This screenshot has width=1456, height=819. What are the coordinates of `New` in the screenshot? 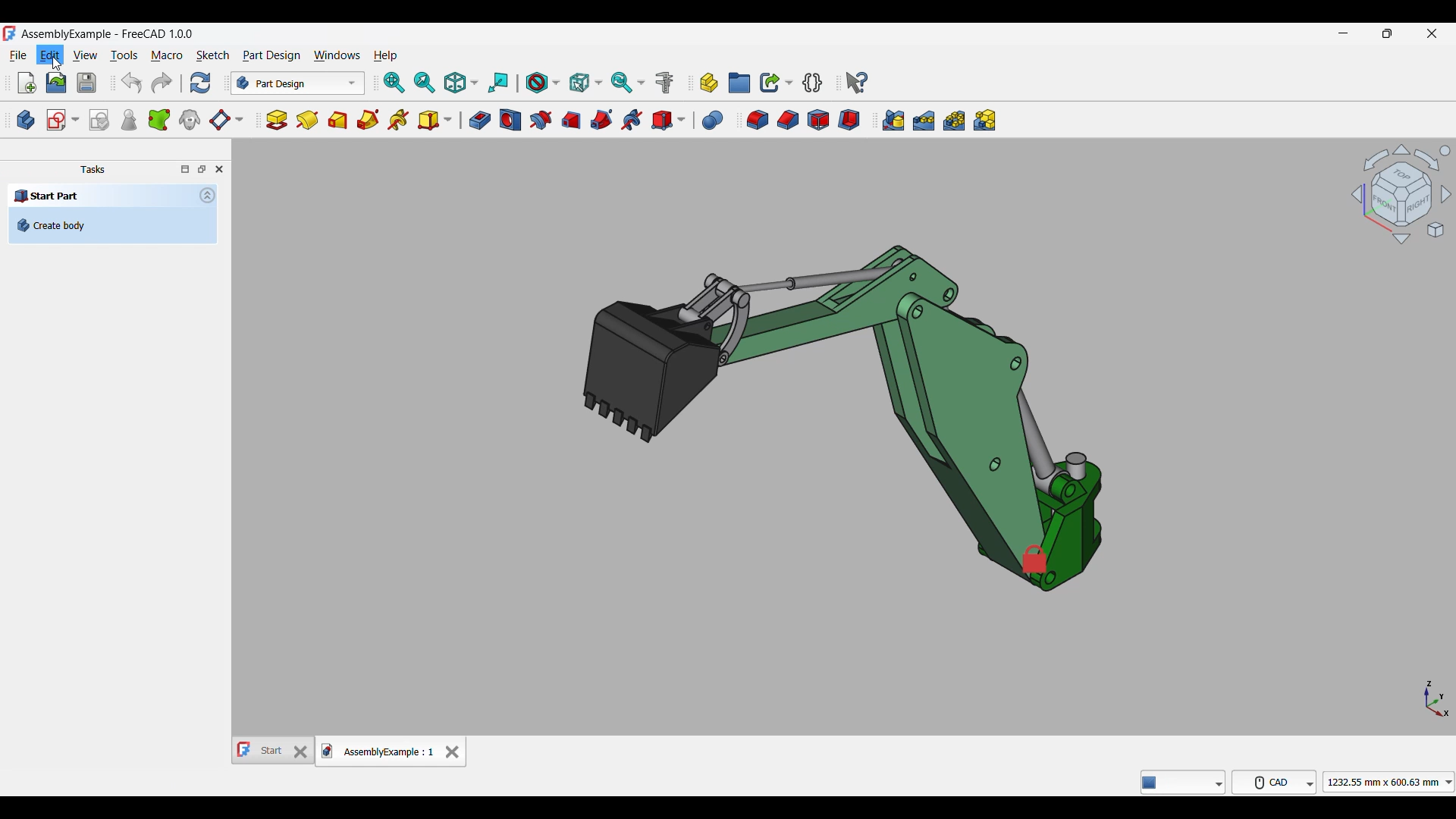 It's located at (27, 83).